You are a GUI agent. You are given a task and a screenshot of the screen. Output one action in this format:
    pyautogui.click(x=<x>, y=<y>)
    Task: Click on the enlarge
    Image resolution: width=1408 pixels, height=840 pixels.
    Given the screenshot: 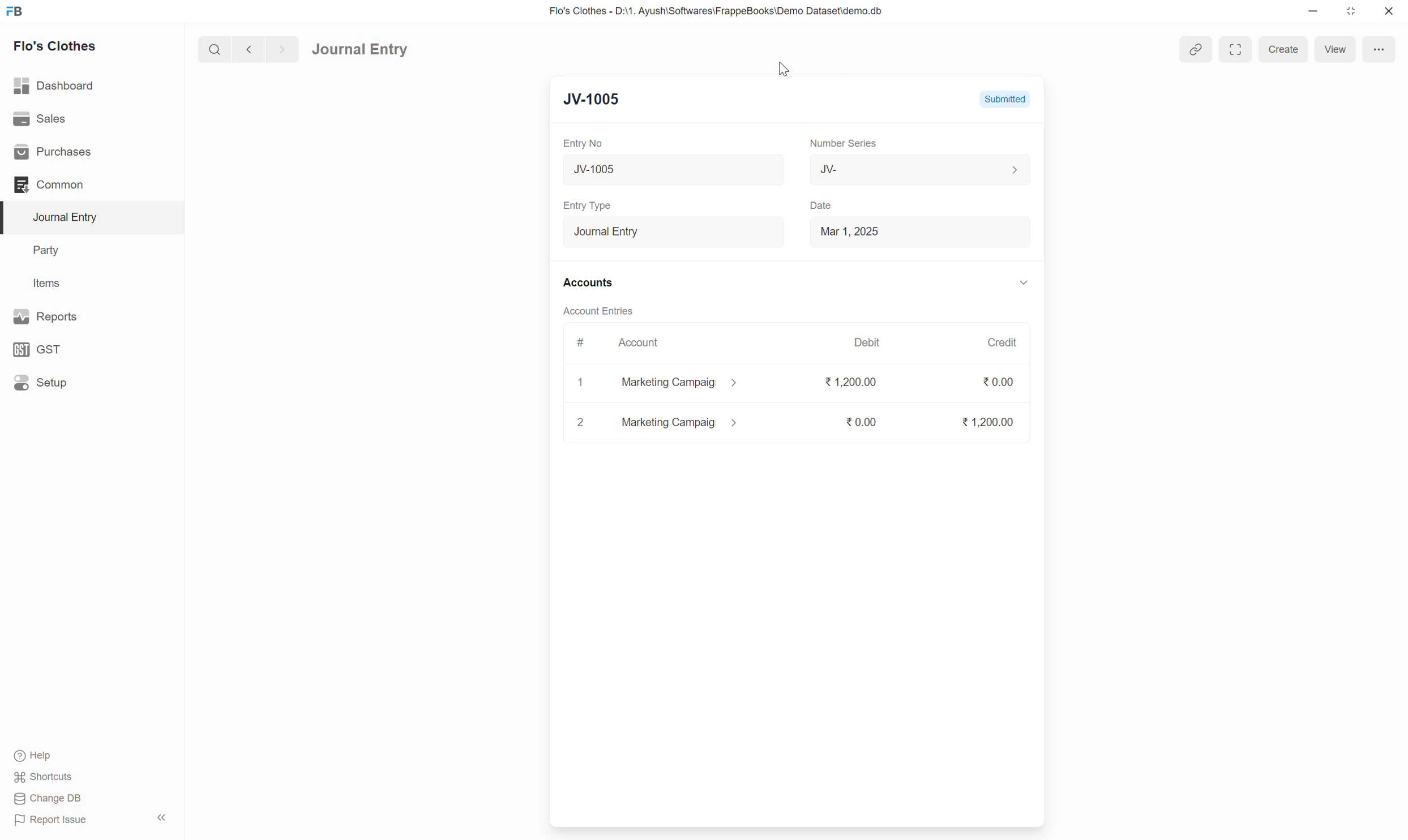 What is the action you would take?
    pyautogui.click(x=1234, y=49)
    